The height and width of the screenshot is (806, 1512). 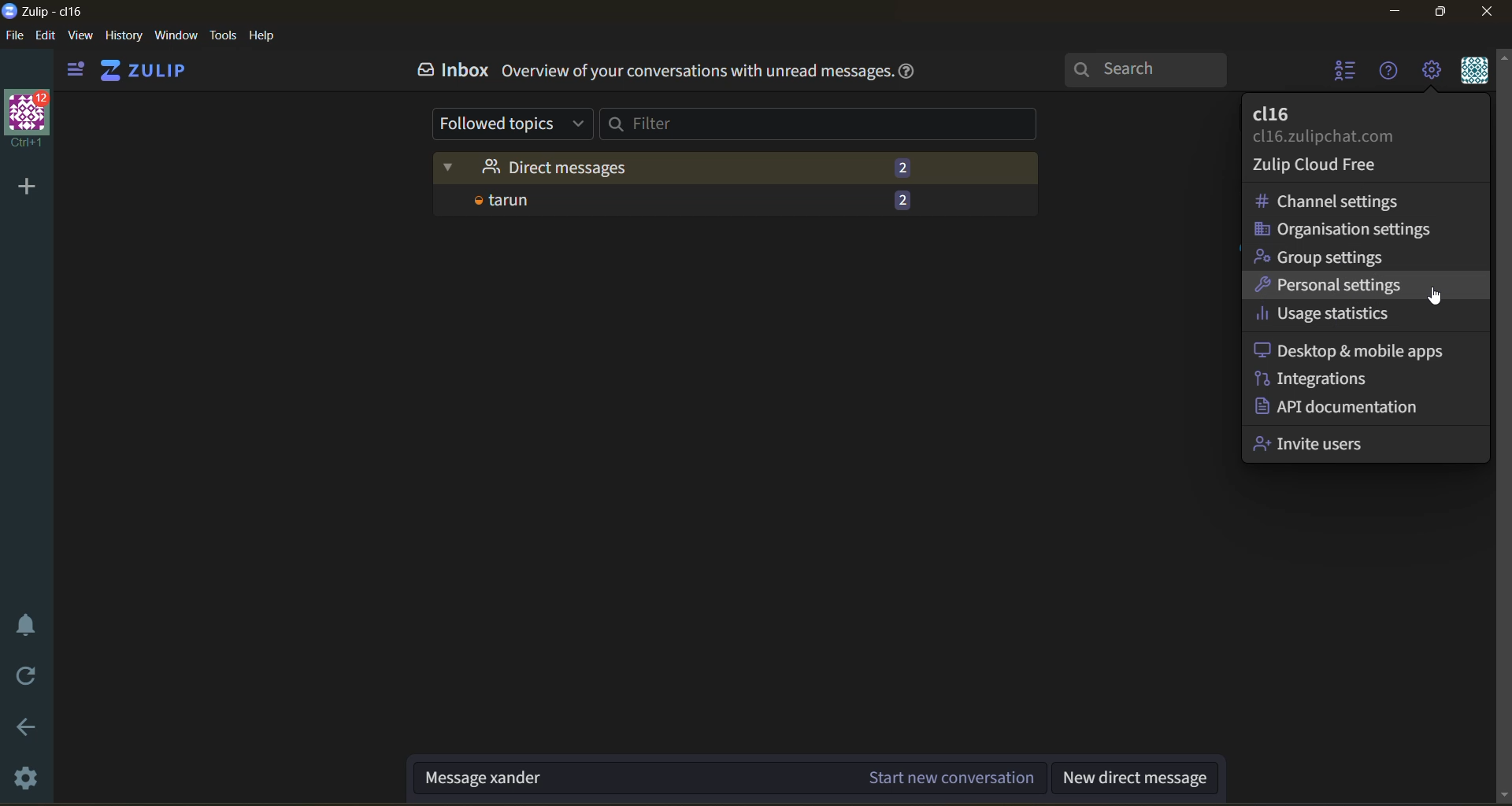 What do you see at coordinates (735, 203) in the screenshot?
I see `user and message count` at bounding box center [735, 203].